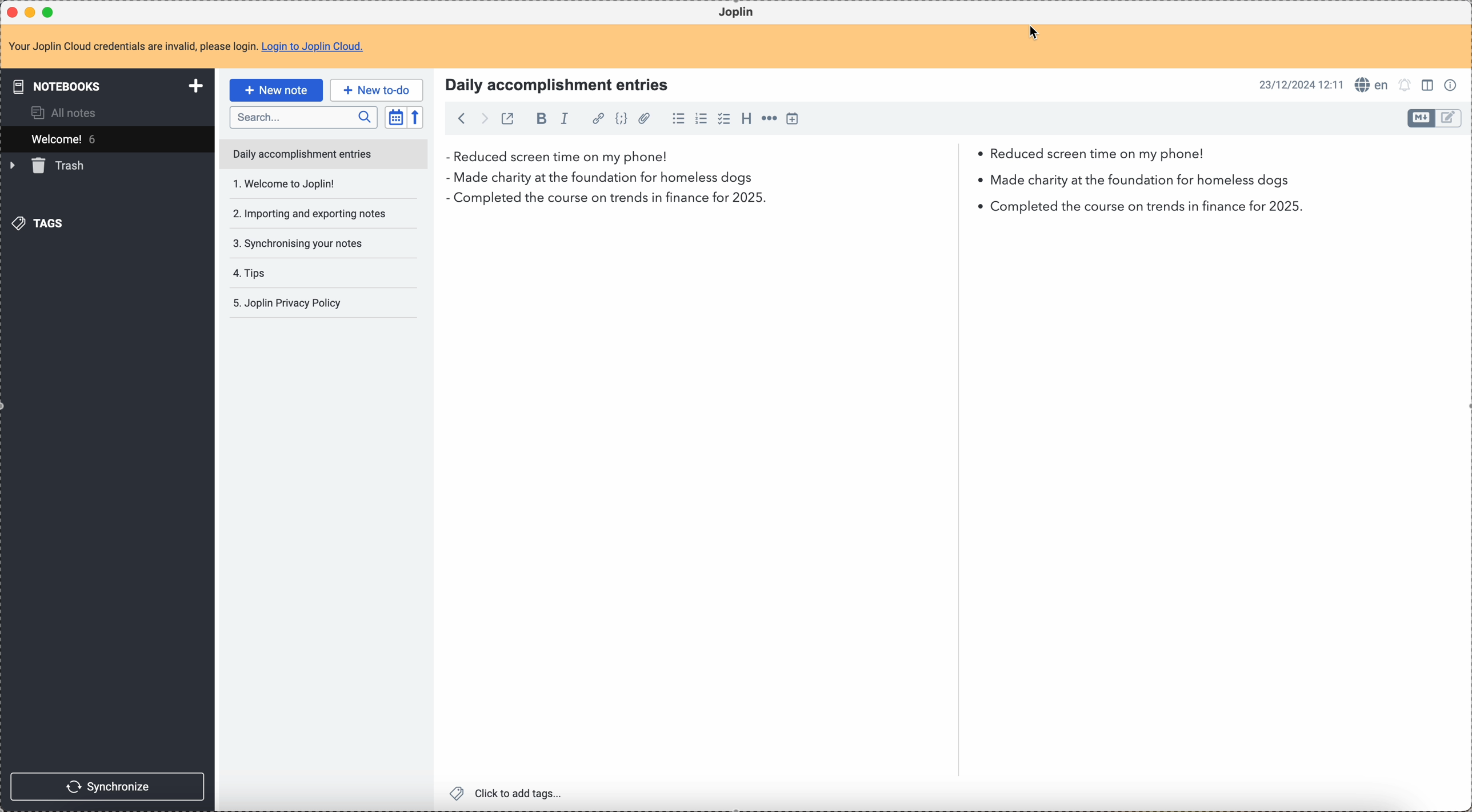  What do you see at coordinates (105, 85) in the screenshot?
I see `notebooks` at bounding box center [105, 85].